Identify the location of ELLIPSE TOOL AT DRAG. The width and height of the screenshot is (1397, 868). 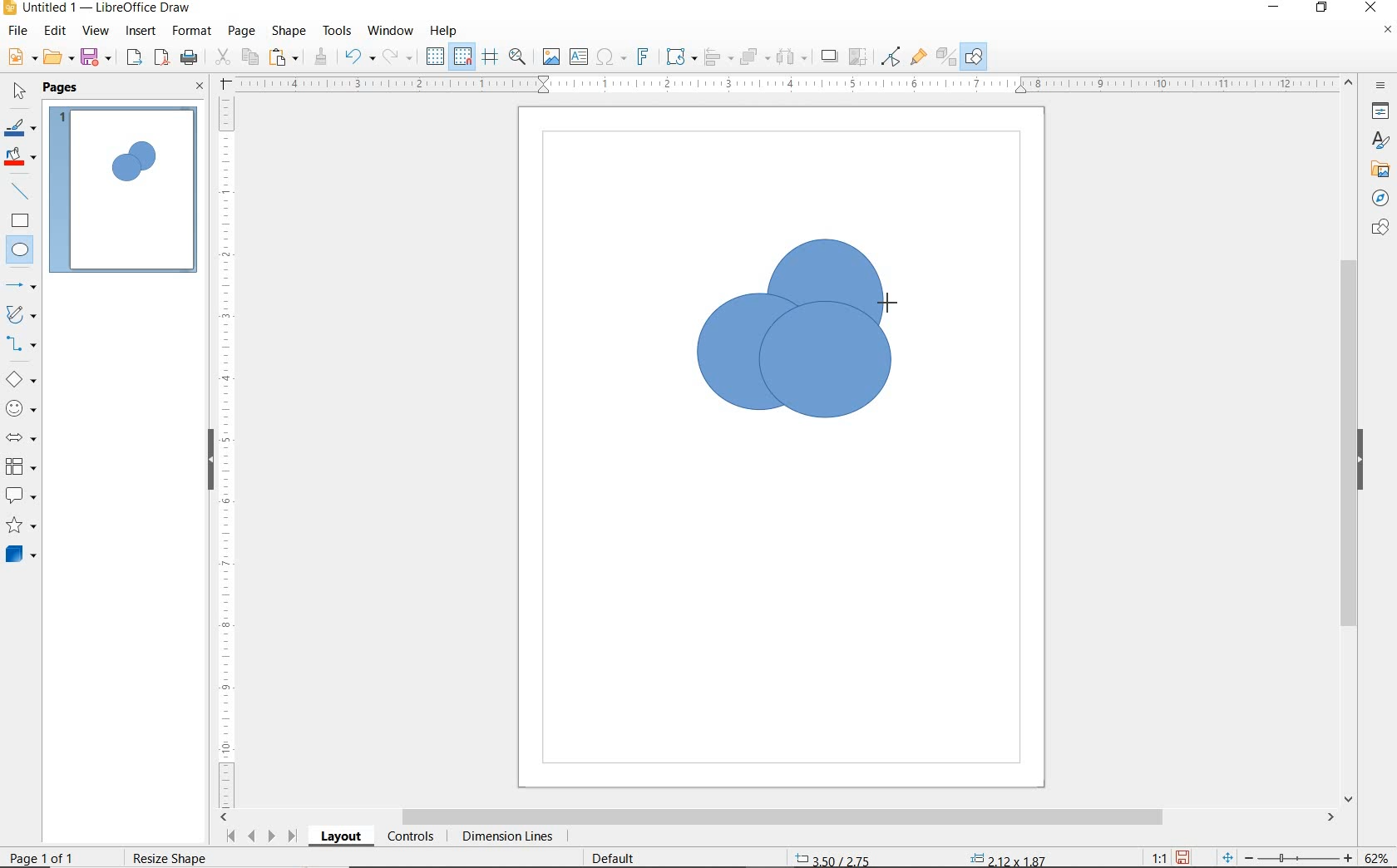
(699, 295).